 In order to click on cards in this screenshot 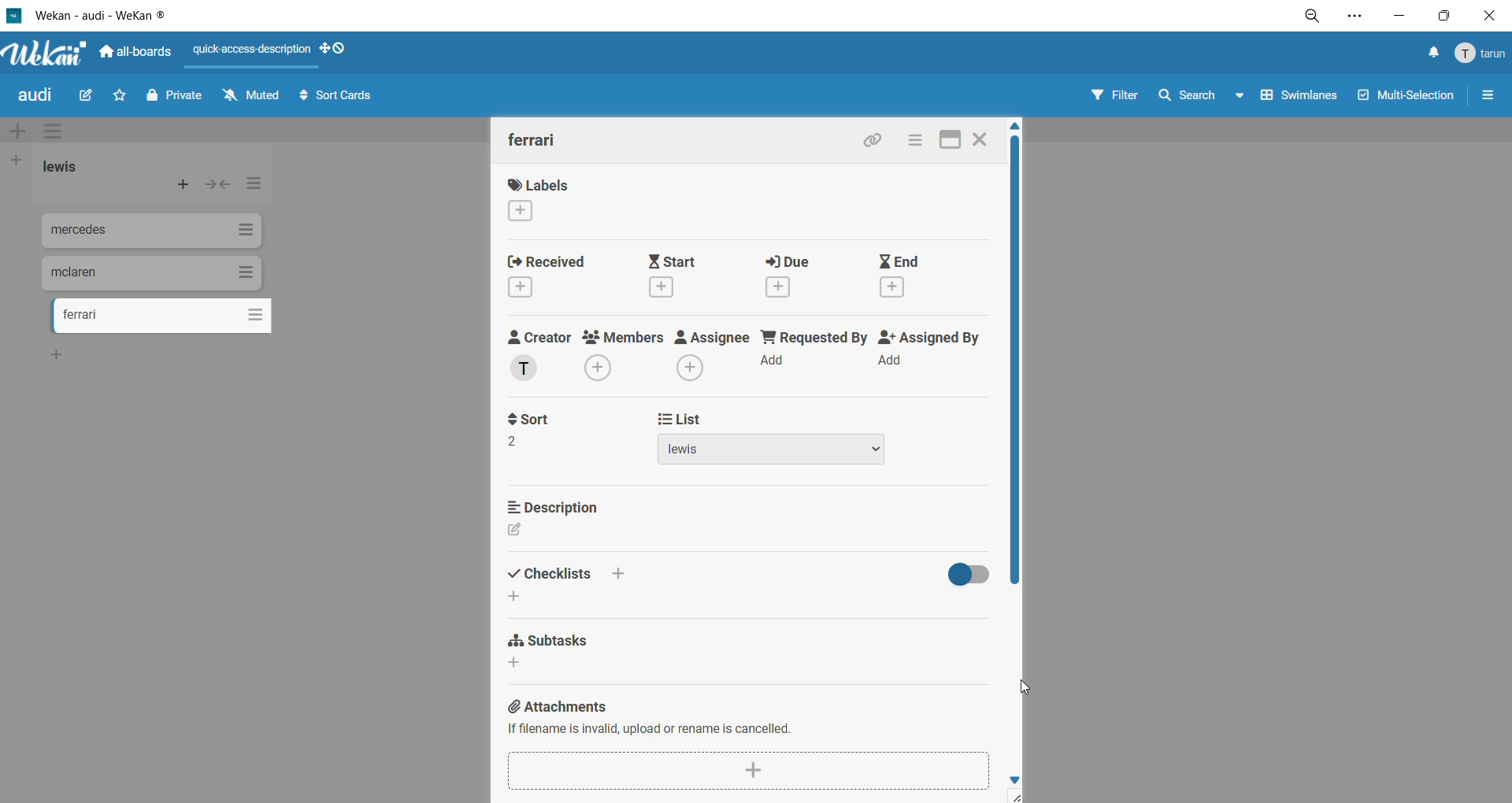, I will do `click(154, 233)`.